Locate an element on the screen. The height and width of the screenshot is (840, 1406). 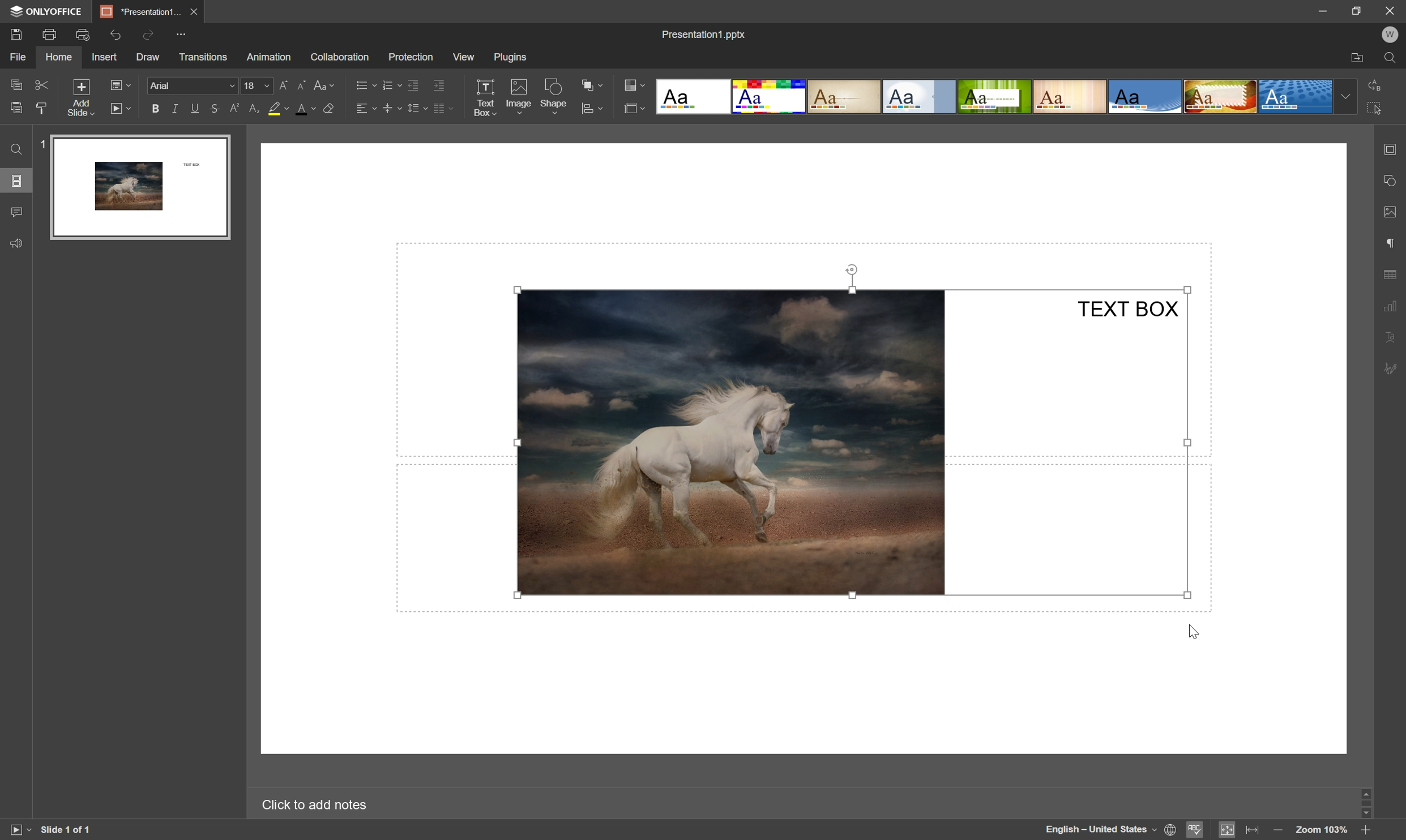
paste is located at coordinates (16, 108).